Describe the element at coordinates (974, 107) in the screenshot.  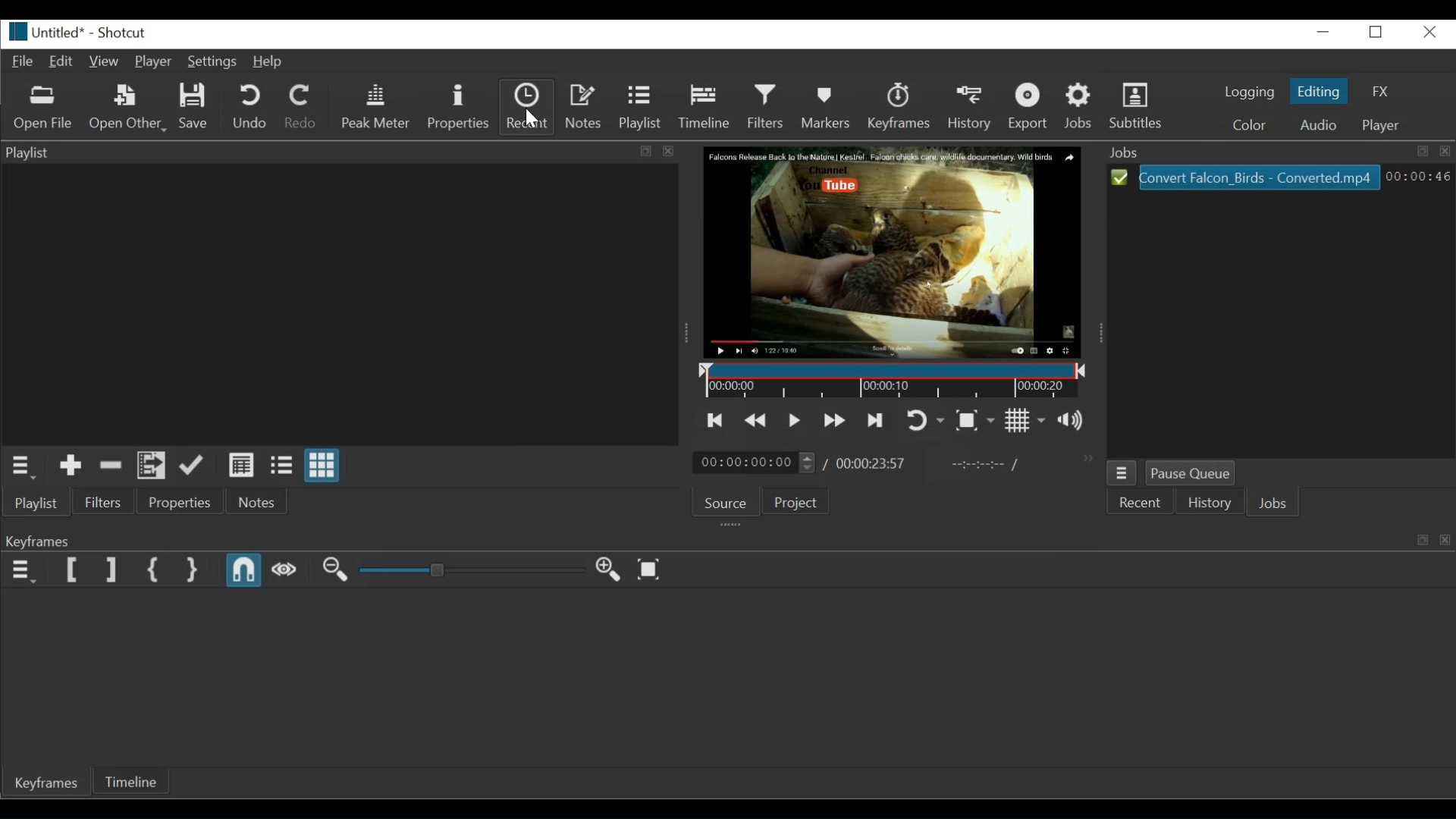
I see `History` at that location.